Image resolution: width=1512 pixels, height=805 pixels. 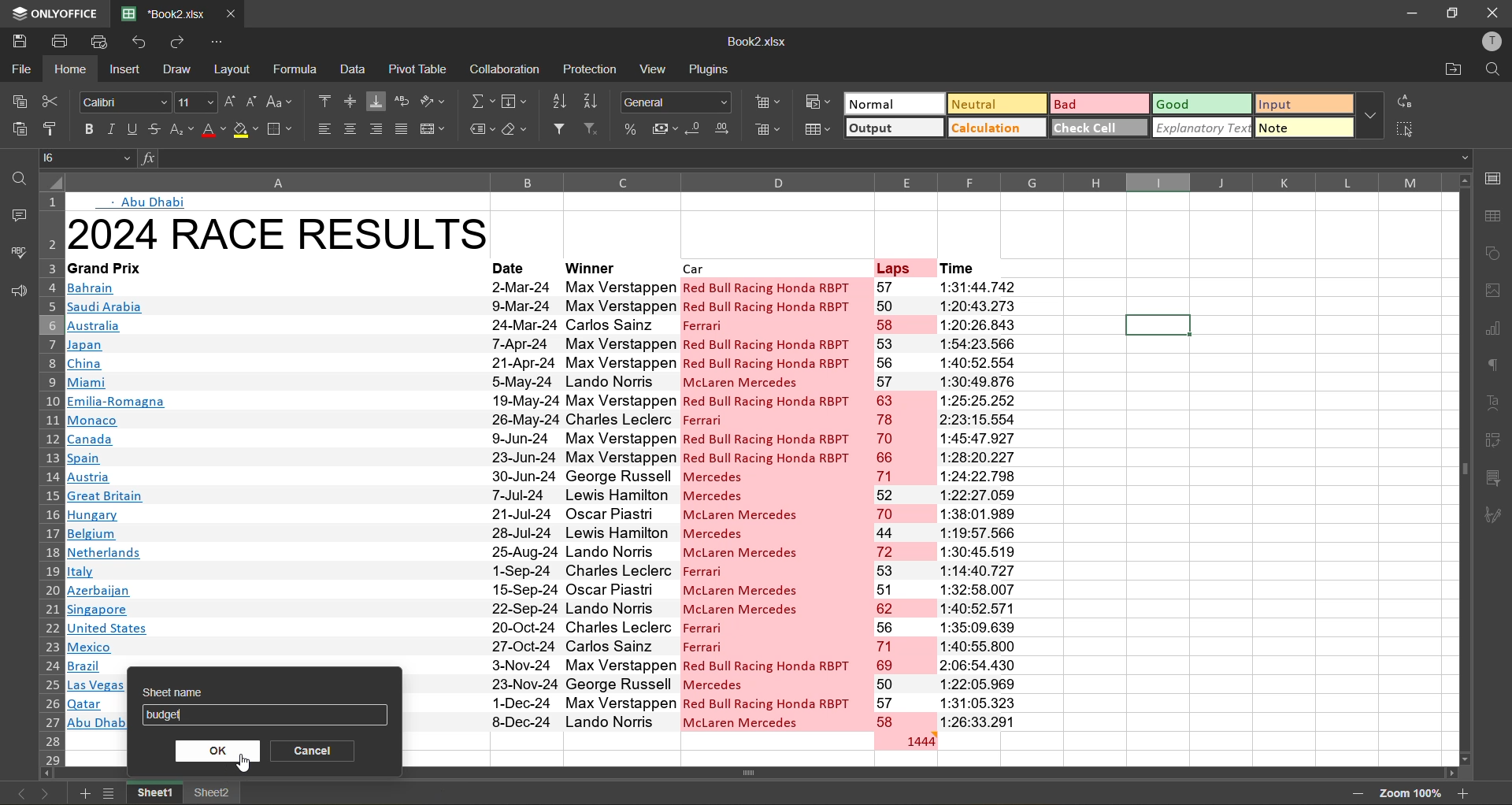 I want to click on pivot table, so click(x=1495, y=443).